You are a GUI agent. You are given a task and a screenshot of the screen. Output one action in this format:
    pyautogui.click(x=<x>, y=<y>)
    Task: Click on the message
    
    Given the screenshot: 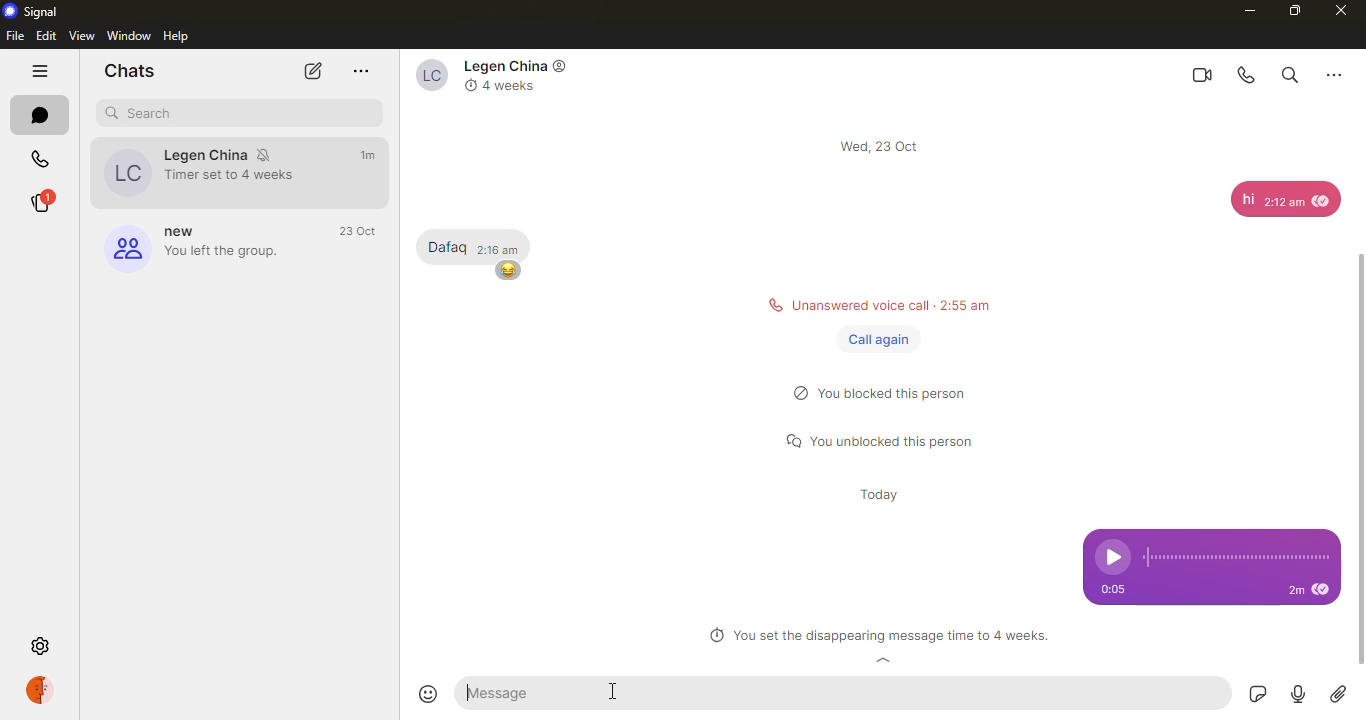 What is the action you would take?
    pyautogui.click(x=521, y=693)
    